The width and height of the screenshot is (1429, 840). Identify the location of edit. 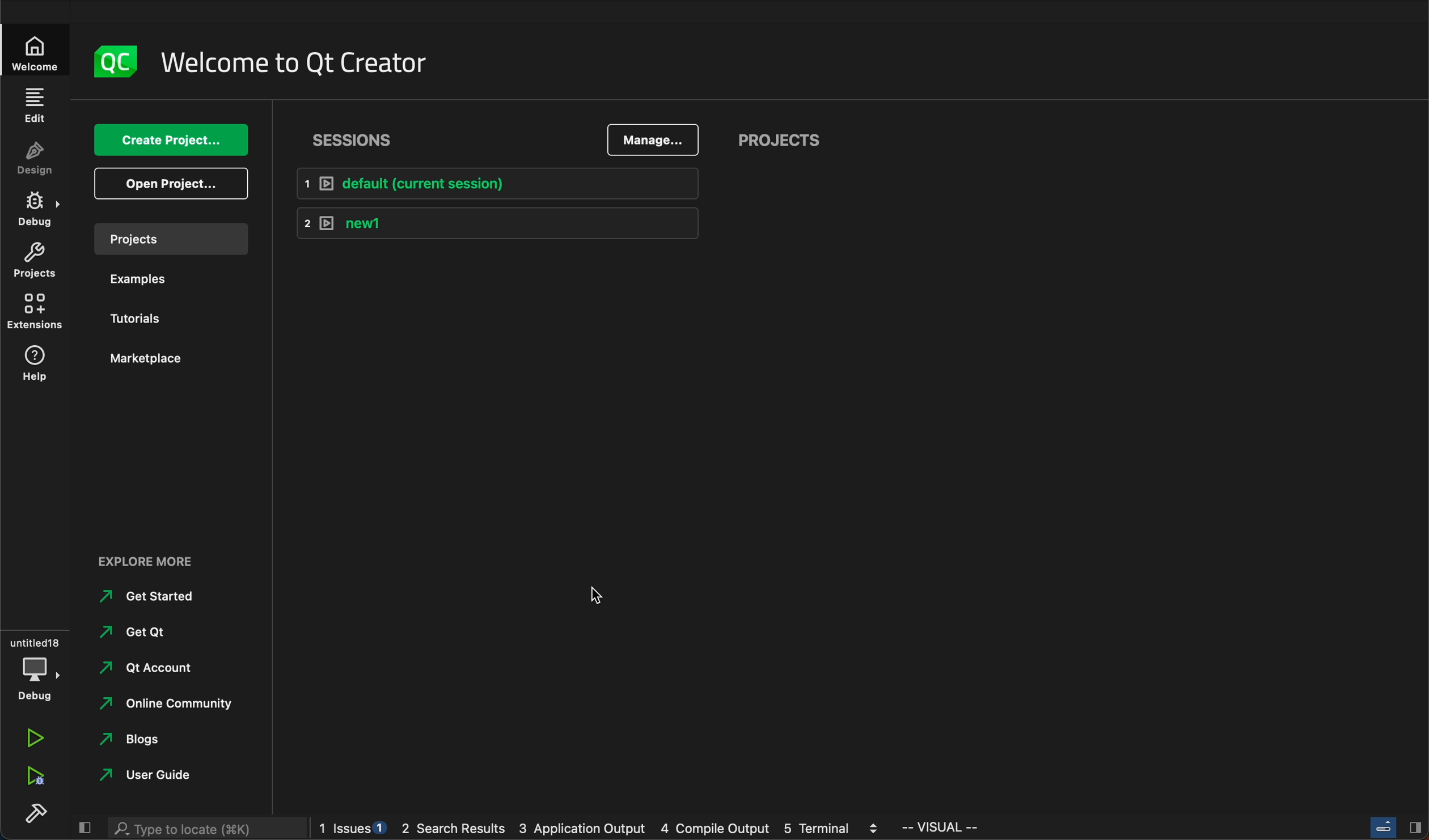
(34, 105).